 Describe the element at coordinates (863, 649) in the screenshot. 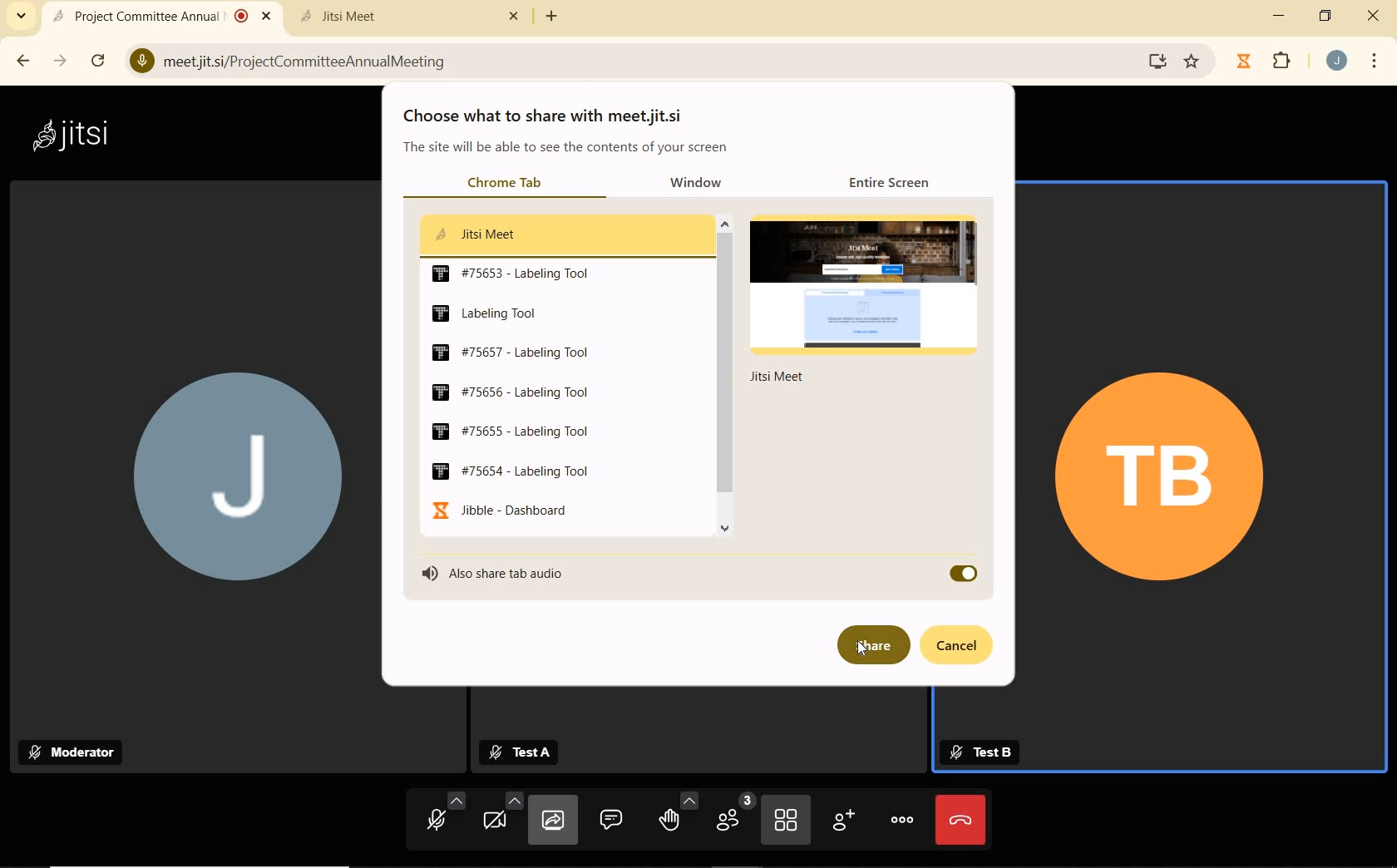

I see `cursor` at that location.